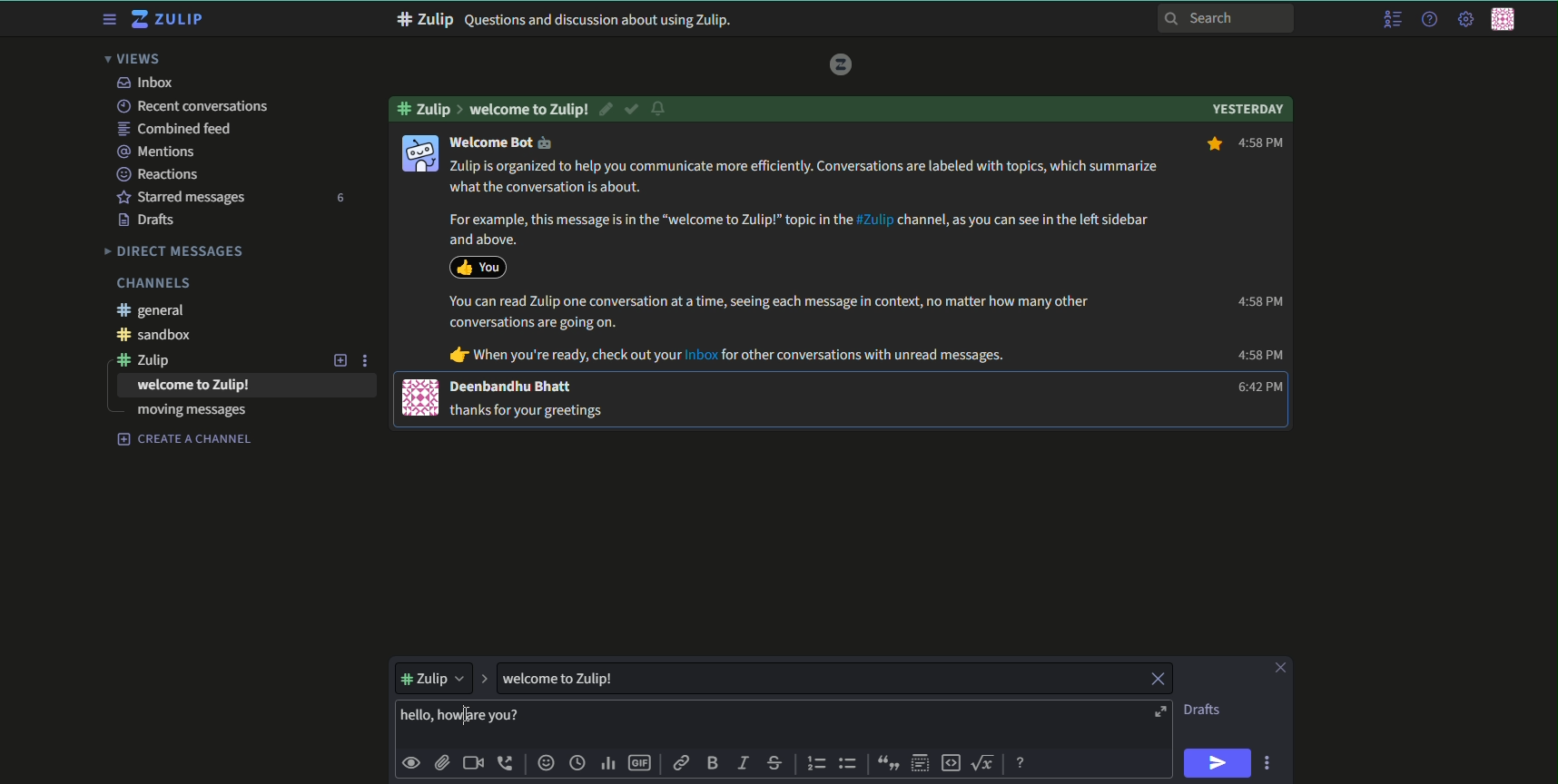 This screenshot has height=784, width=1558. What do you see at coordinates (432, 676) in the screenshot?
I see `#zulip` at bounding box center [432, 676].